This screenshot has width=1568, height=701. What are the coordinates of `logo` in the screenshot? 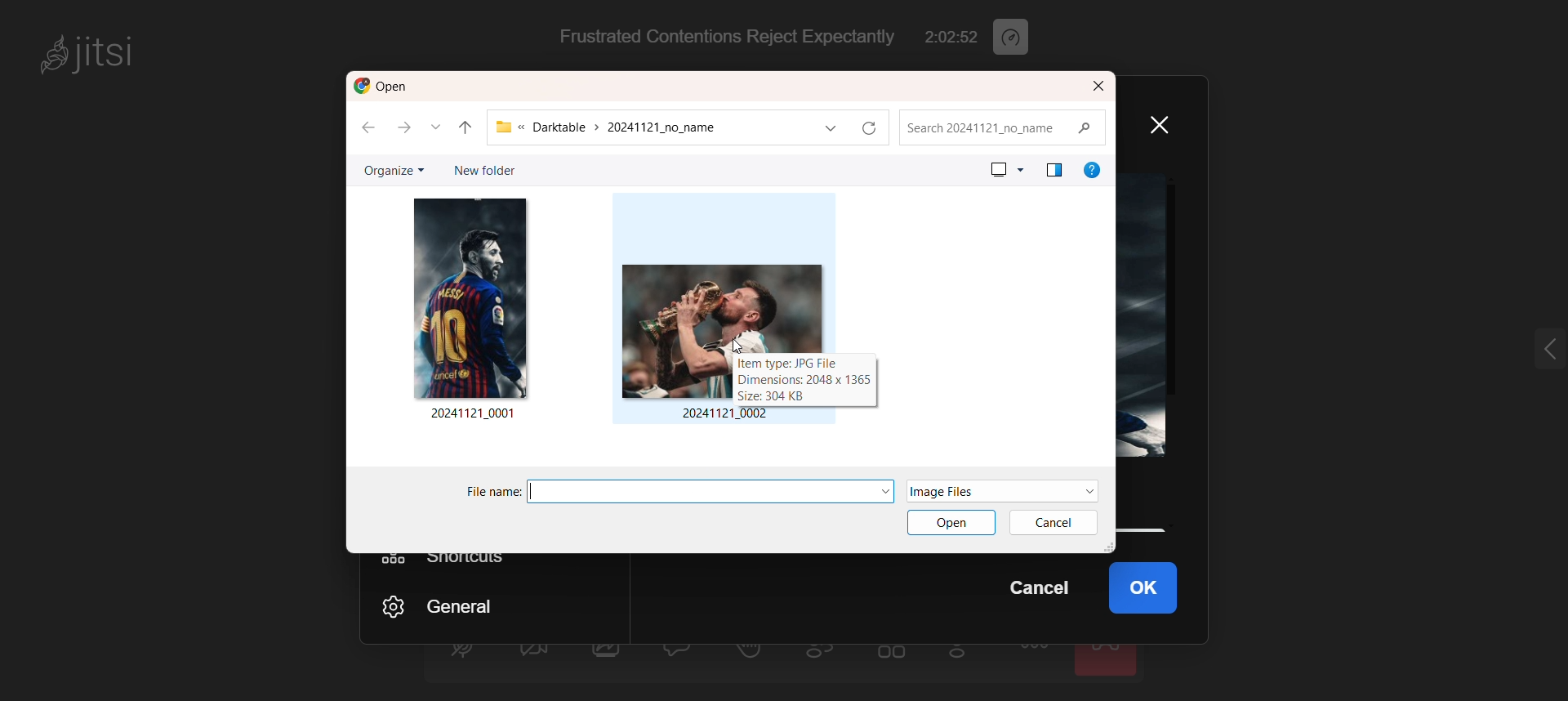 It's located at (385, 87).